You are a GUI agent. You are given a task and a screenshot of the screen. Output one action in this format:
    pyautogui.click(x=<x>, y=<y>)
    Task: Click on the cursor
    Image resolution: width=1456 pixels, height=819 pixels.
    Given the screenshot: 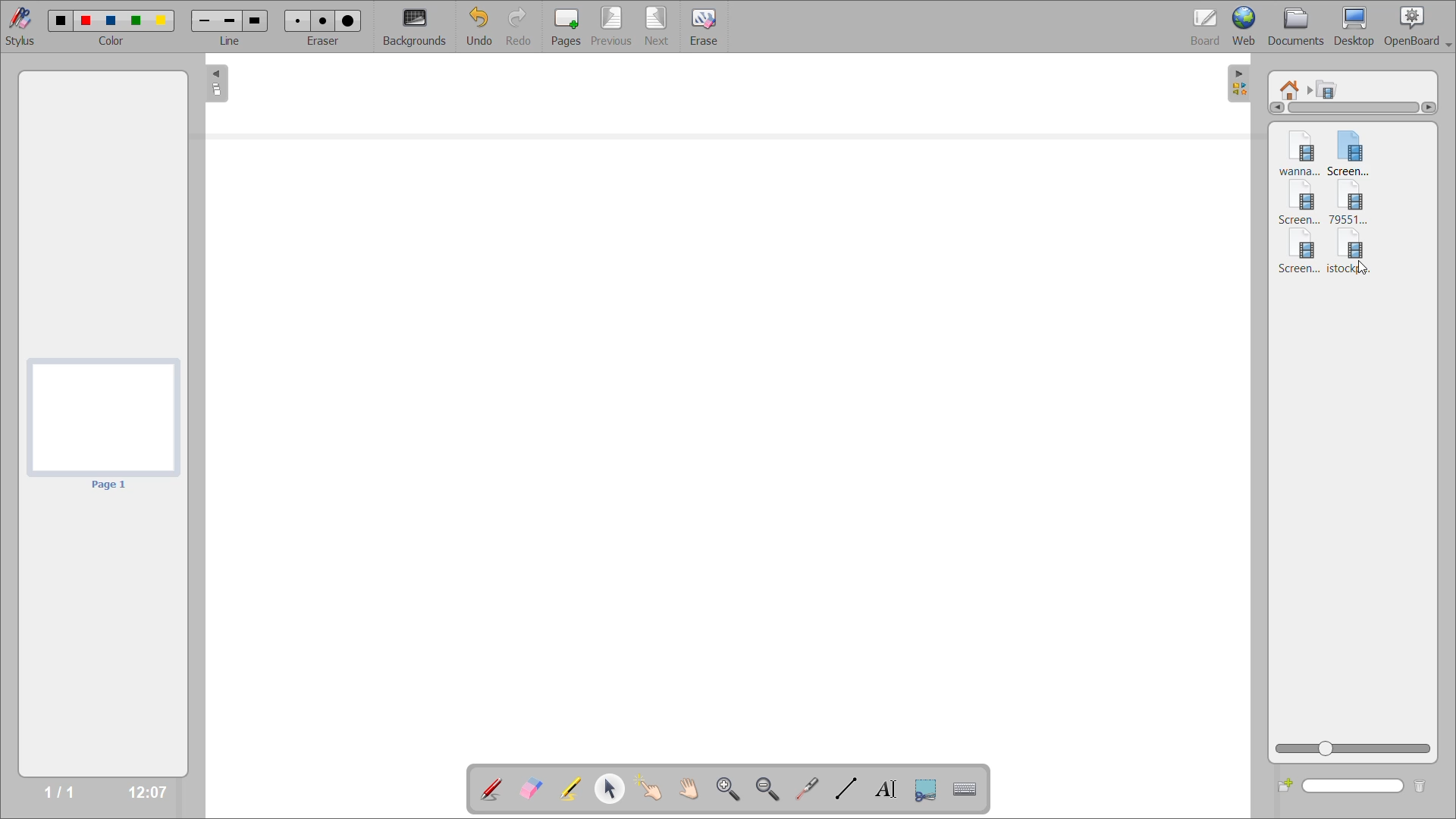 What is the action you would take?
    pyautogui.click(x=1363, y=268)
    